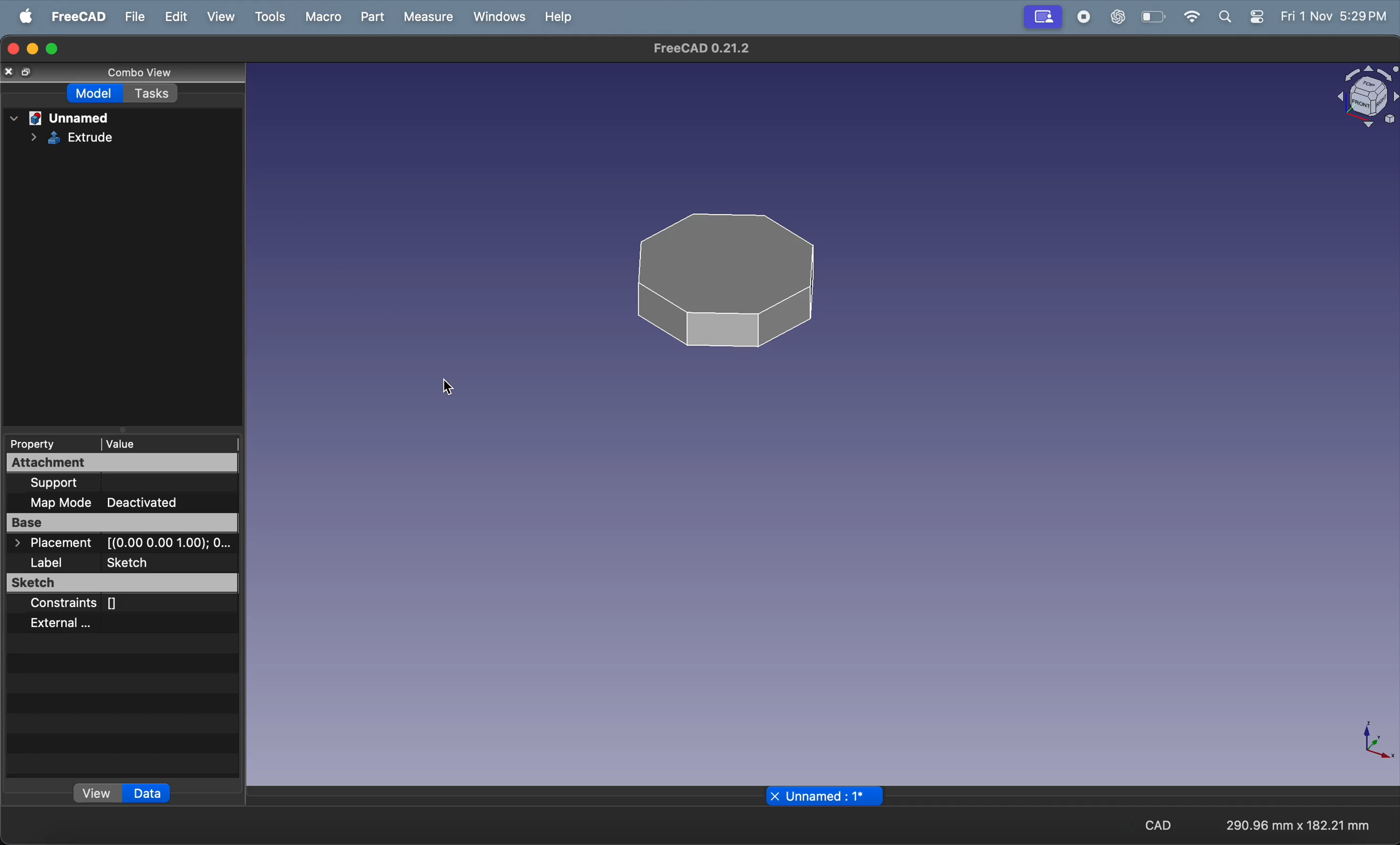 This screenshot has width=1400, height=845. Describe the element at coordinates (1152, 18) in the screenshot. I see `battery` at that location.